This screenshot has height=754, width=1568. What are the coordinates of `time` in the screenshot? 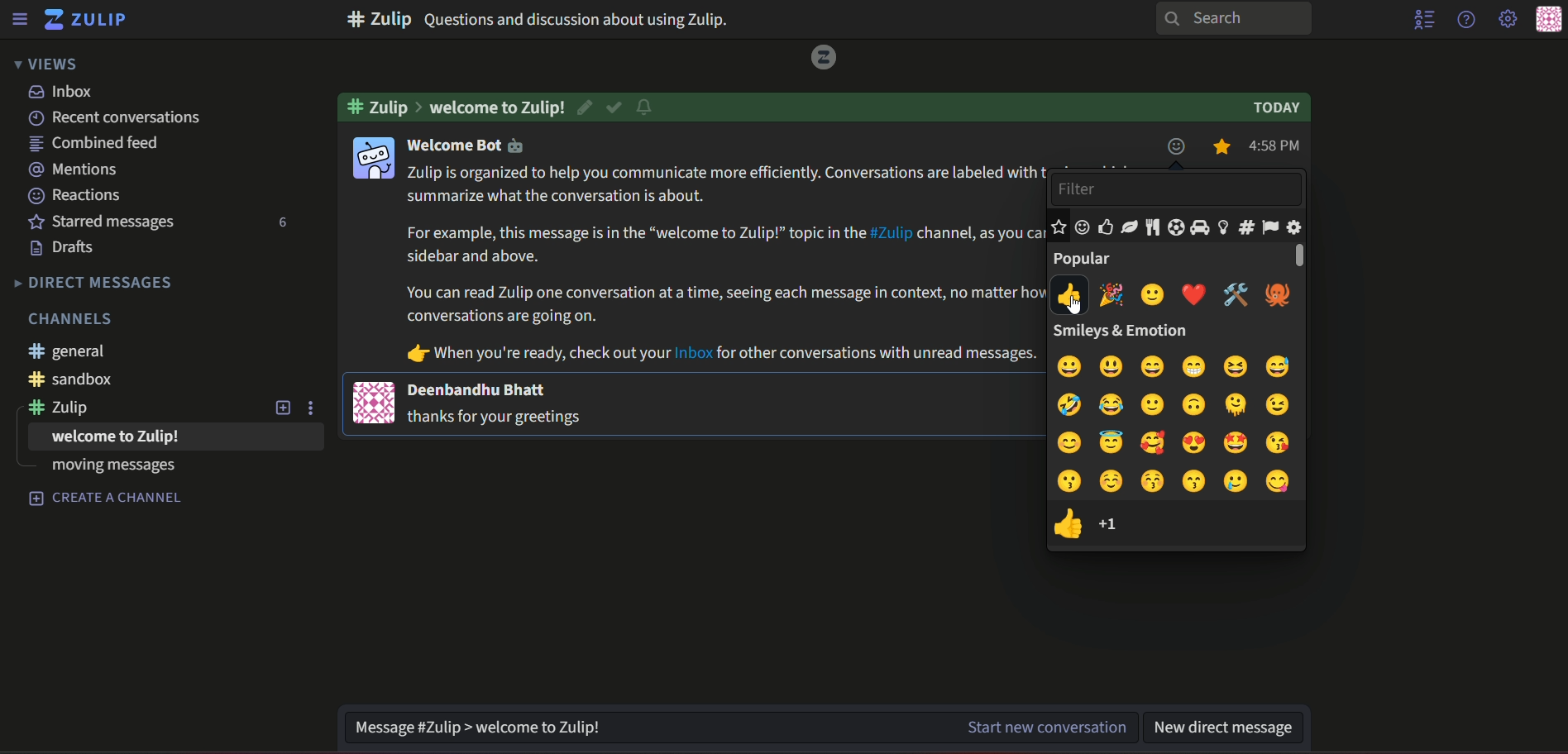 It's located at (1277, 146).